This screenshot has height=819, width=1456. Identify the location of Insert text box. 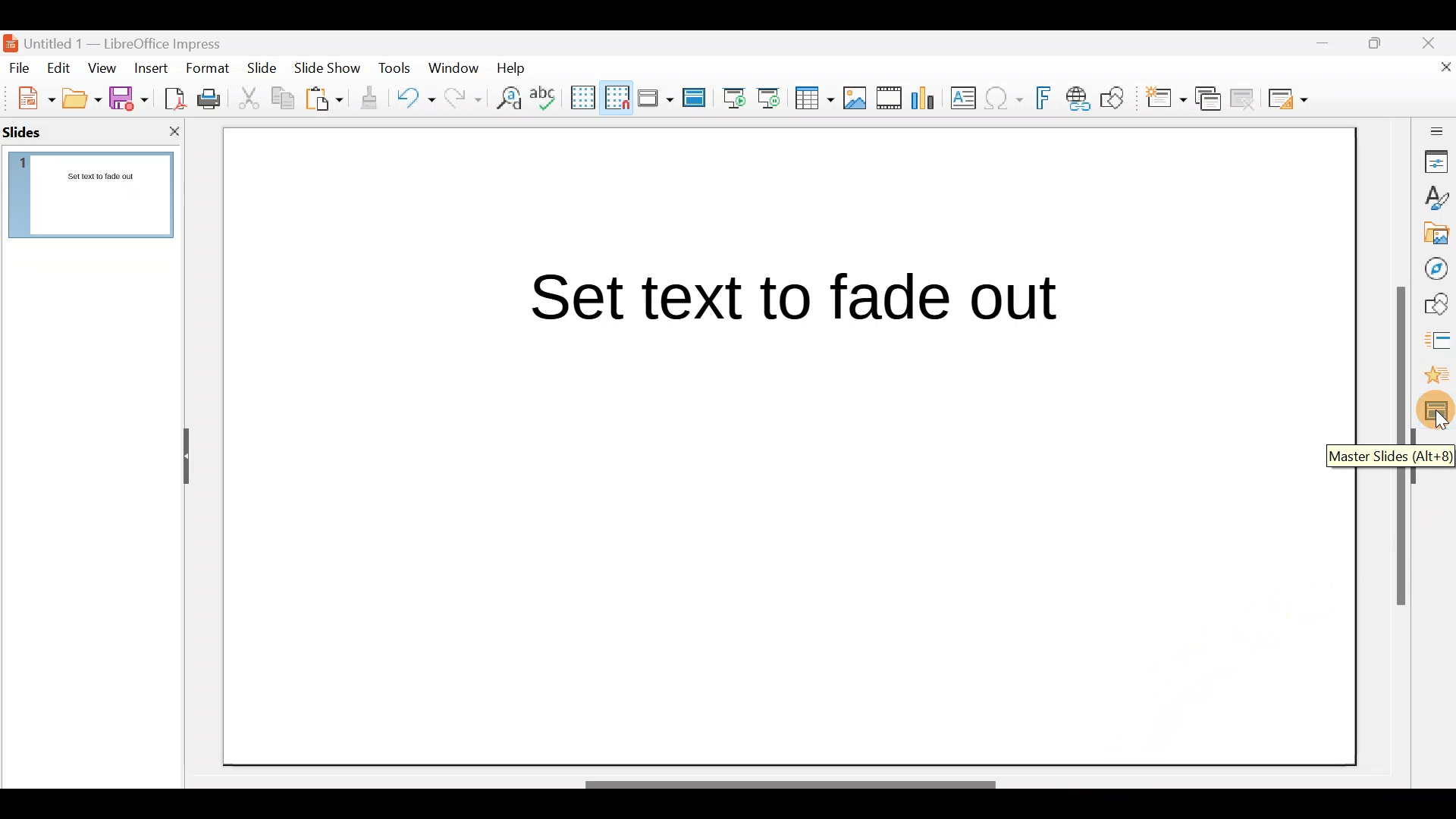
(966, 99).